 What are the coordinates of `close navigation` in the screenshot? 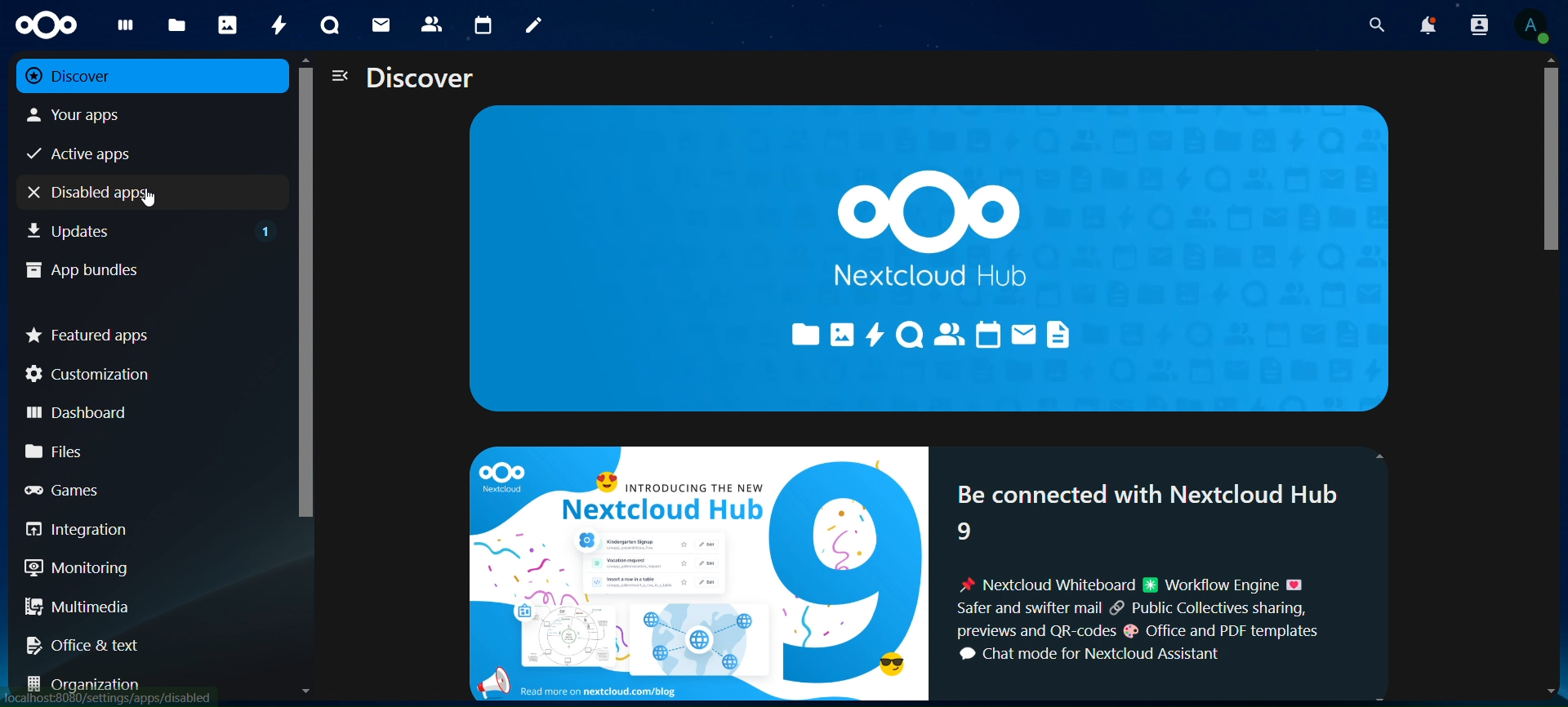 It's located at (338, 77).